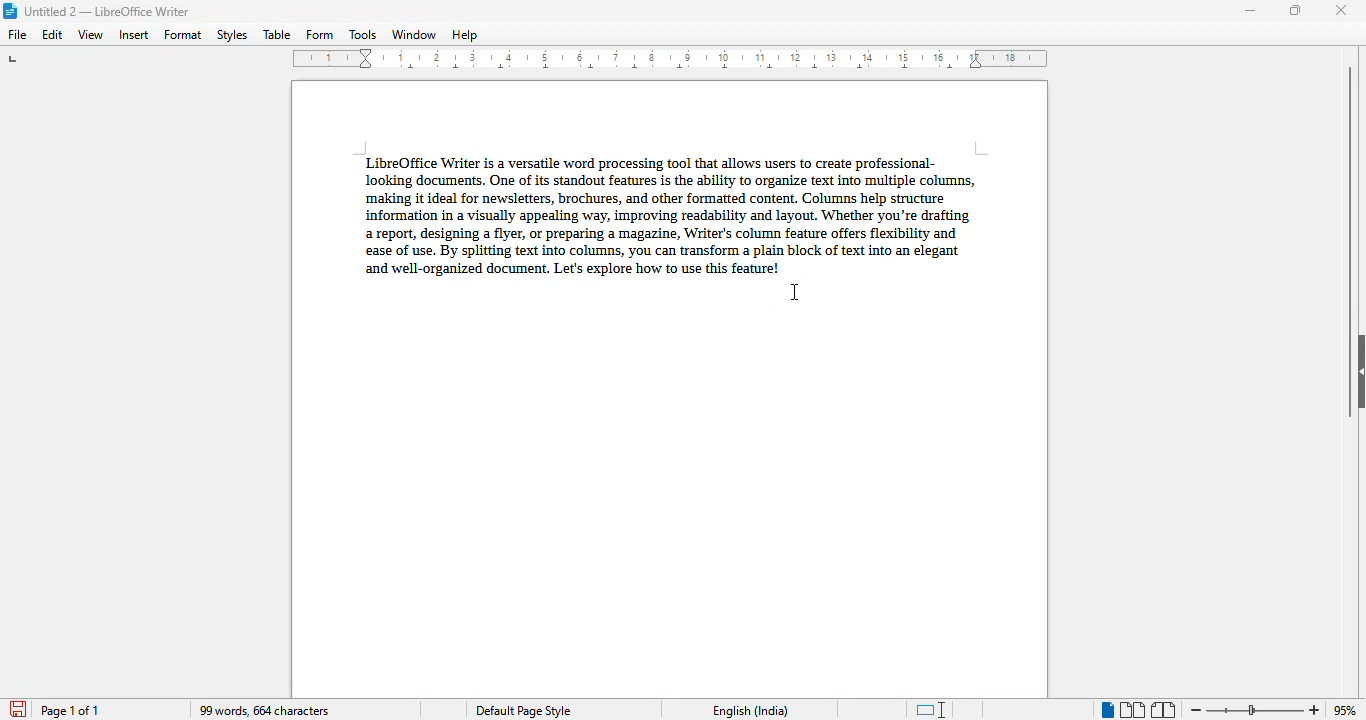 This screenshot has height=720, width=1366. Describe the element at coordinates (71, 711) in the screenshot. I see `page 1 of 1` at that location.